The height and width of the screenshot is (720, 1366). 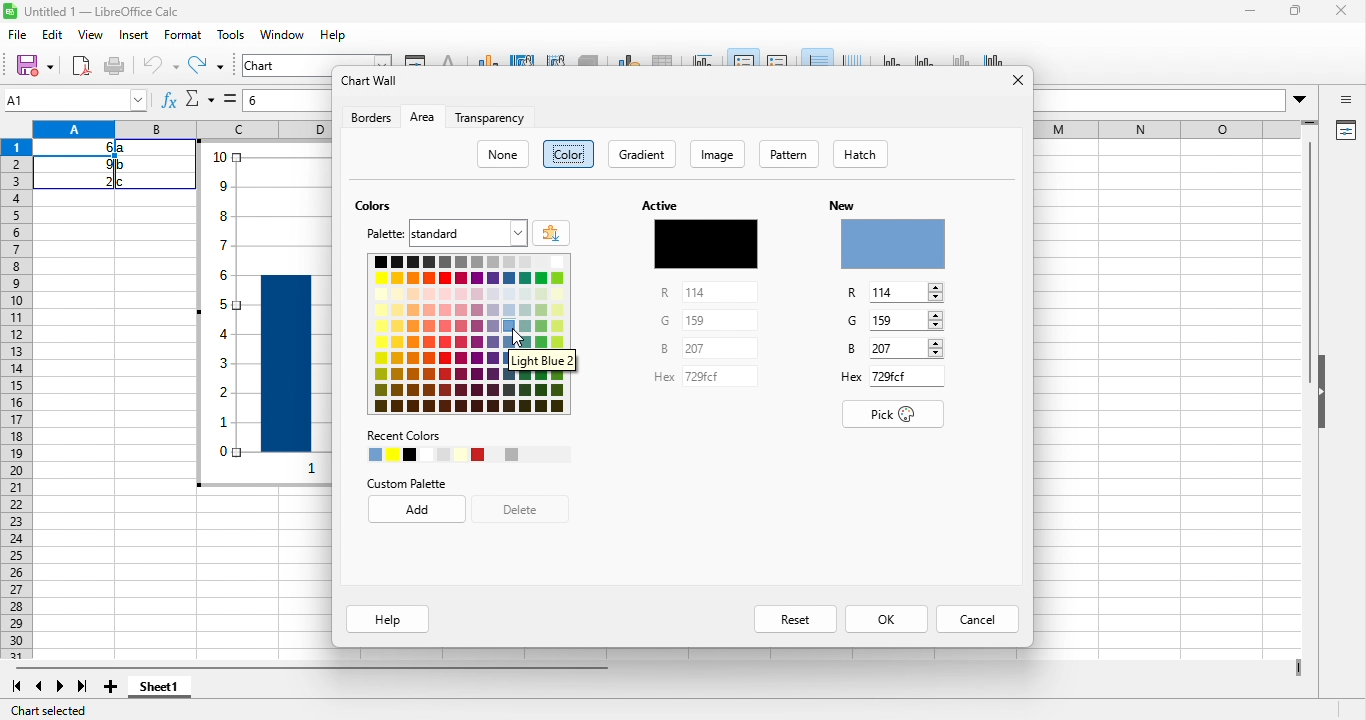 What do you see at coordinates (284, 35) in the screenshot?
I see `window` at bounding box center [284, 35].